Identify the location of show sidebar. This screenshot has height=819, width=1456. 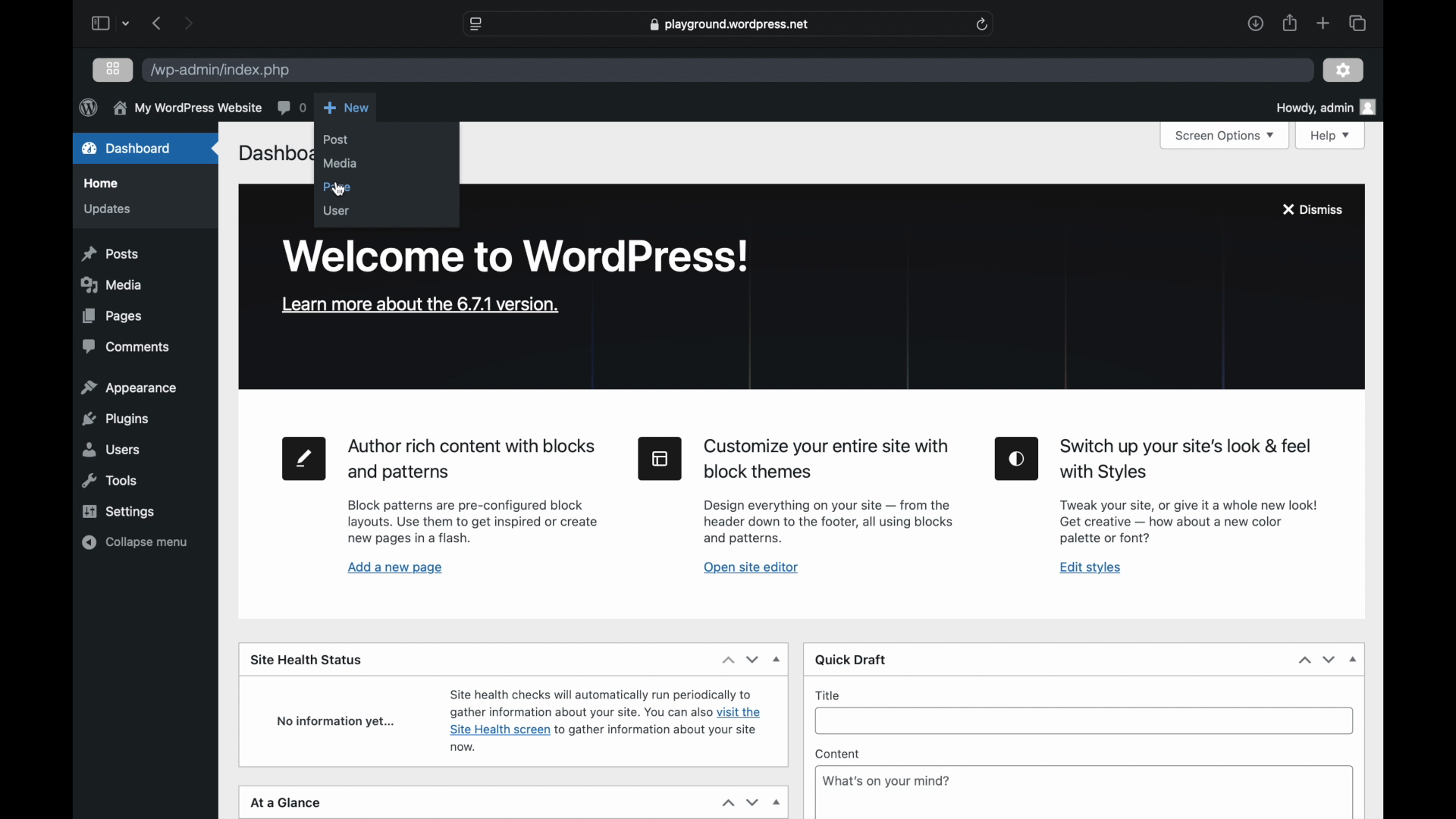
(100, 23).